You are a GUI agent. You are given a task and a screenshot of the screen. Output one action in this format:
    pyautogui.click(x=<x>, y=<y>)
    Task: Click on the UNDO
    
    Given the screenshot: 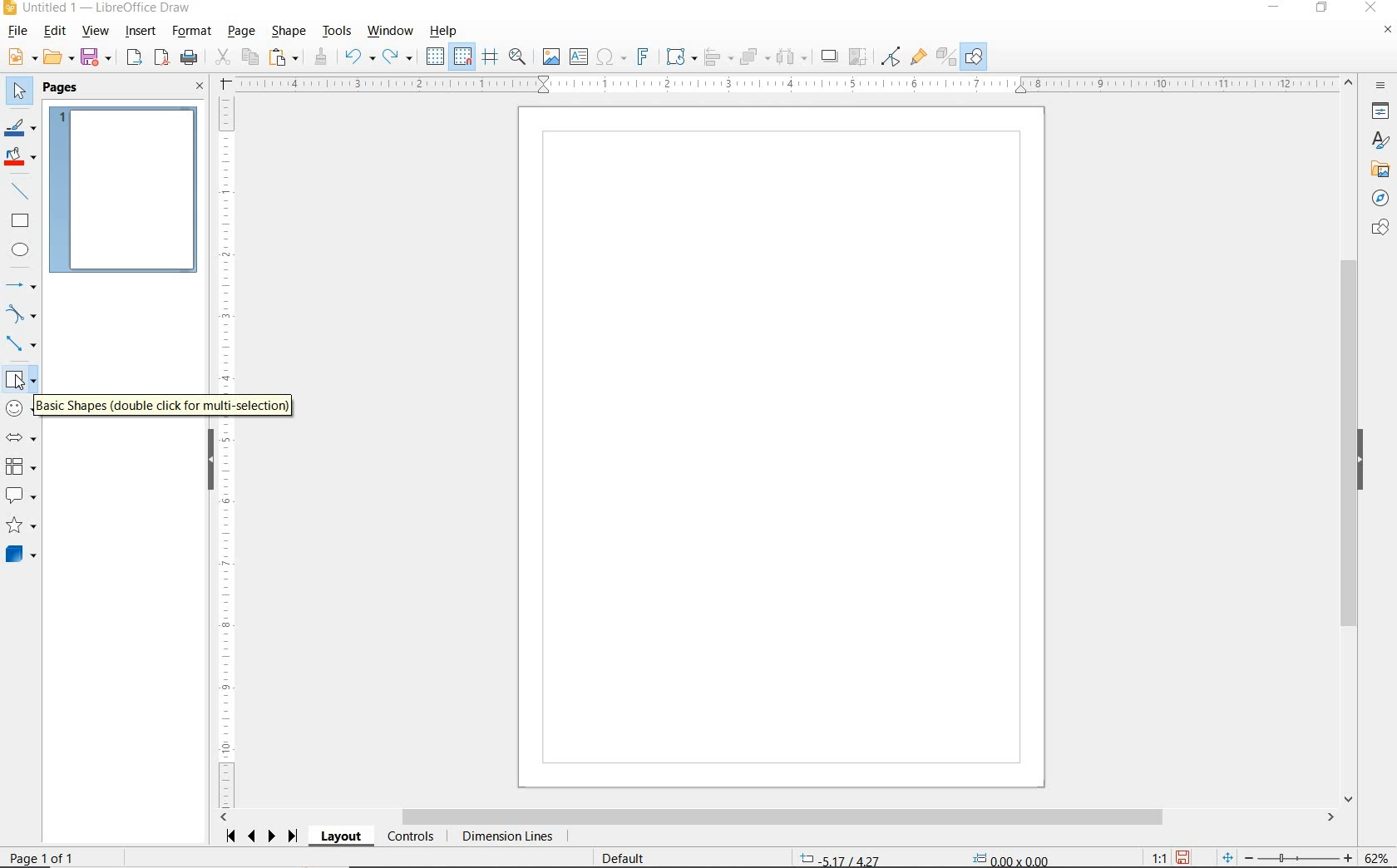 What is the action you would take?
    pyautogui.click(x=360, y=58)
    